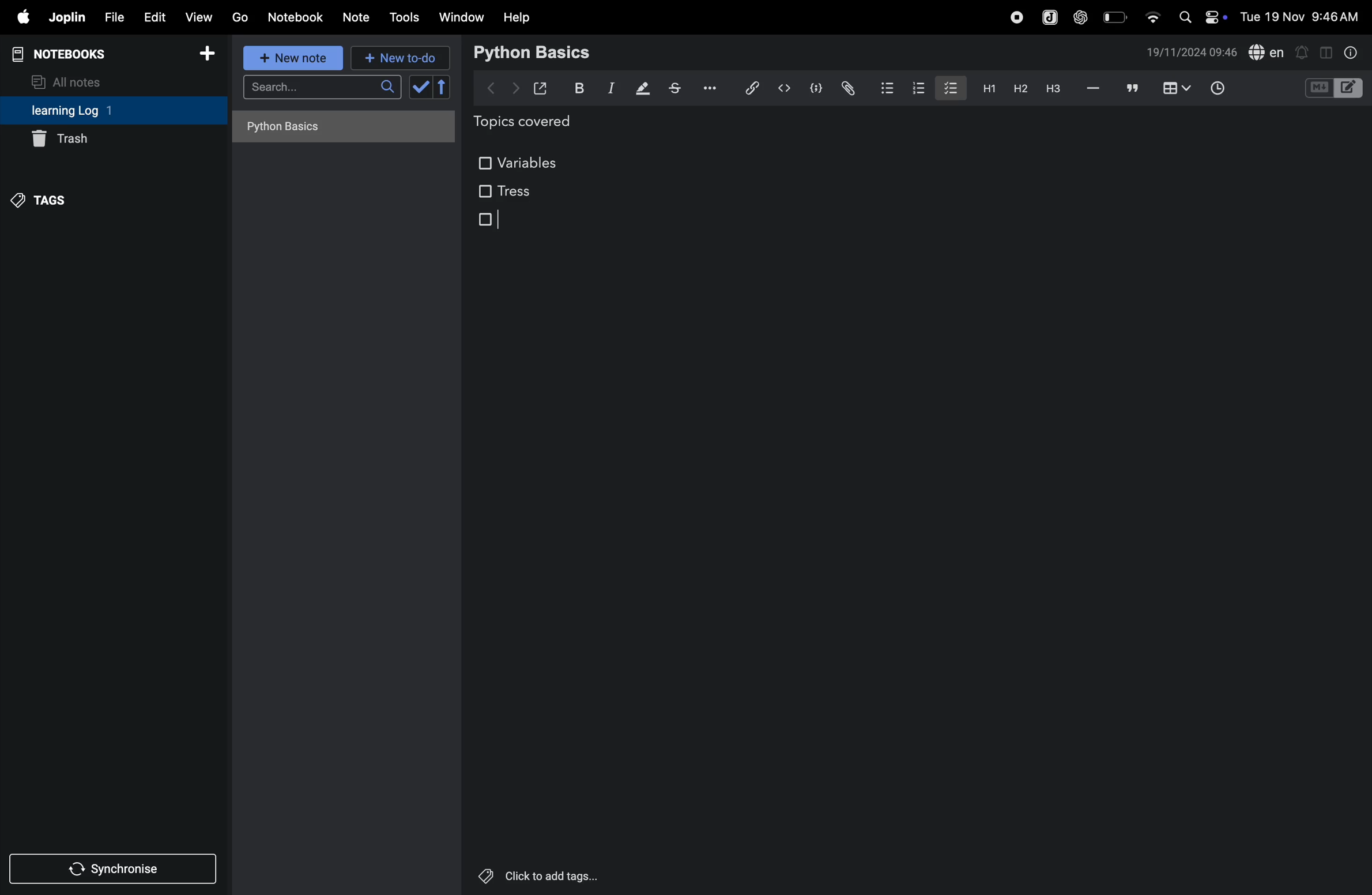 Image resolution: width=1372 pixels, height=895 pixels. What do you see at coordinates (1048, 17) in the screenshot?
I see `joplin` at bounding box center [1048, 17].